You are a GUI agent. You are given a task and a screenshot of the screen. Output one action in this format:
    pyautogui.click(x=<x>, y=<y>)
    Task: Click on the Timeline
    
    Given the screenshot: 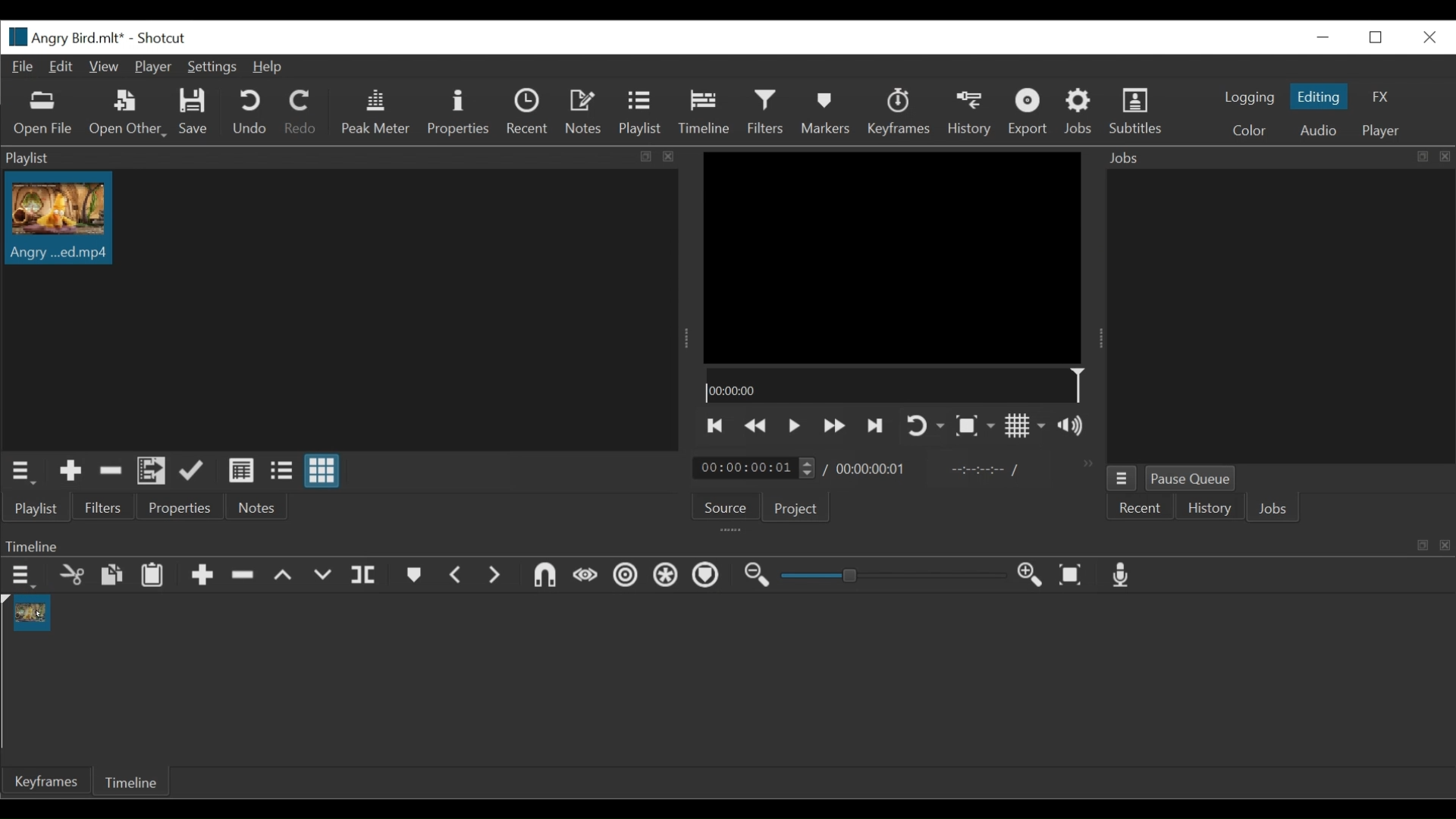 What is the action you would take?
    pyautogui.click(x=893, y=385)
    